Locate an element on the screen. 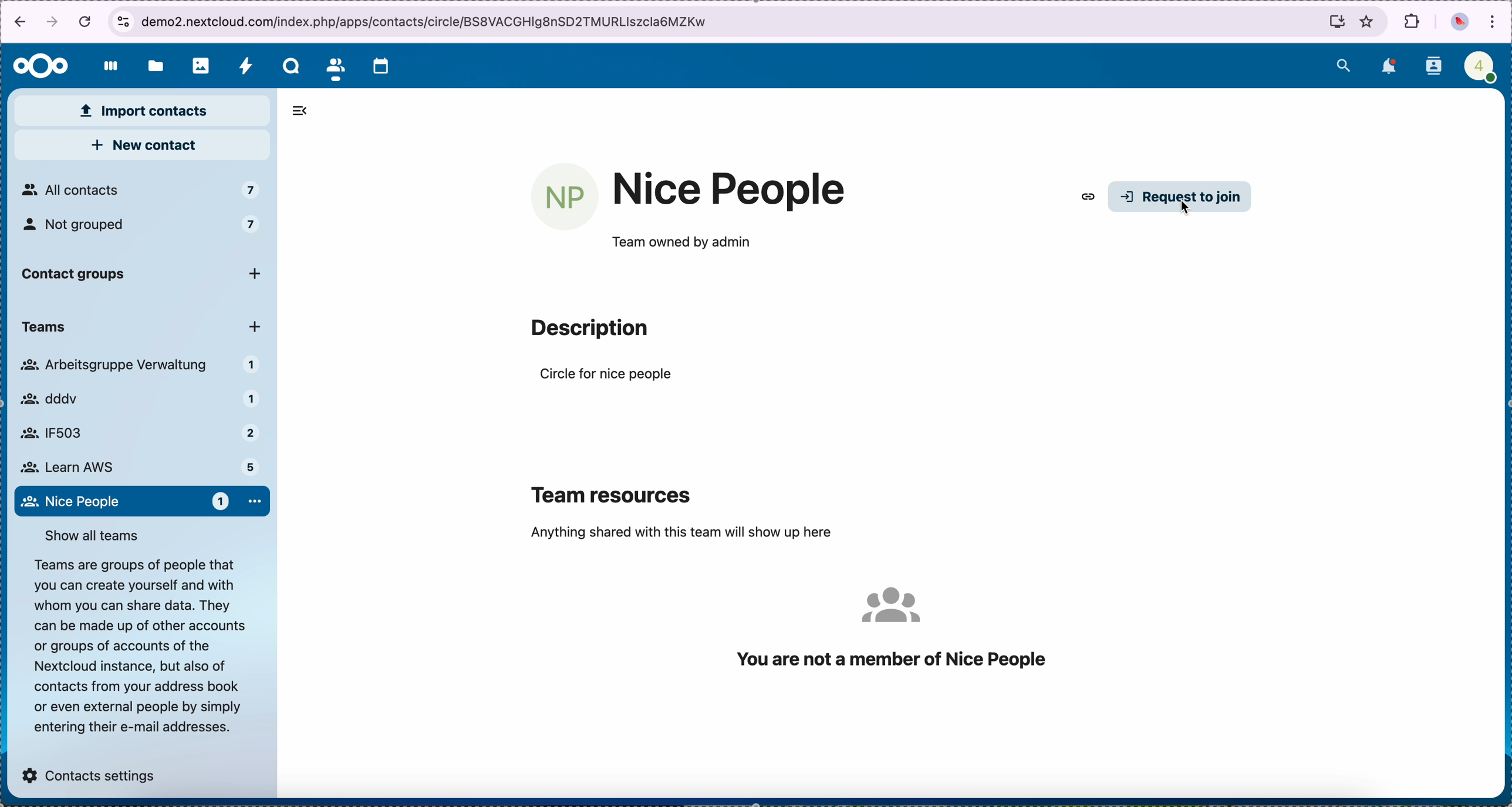 The width and height of the screenshot is (1512, 807). not grouped is located at coordinates (144, 229).